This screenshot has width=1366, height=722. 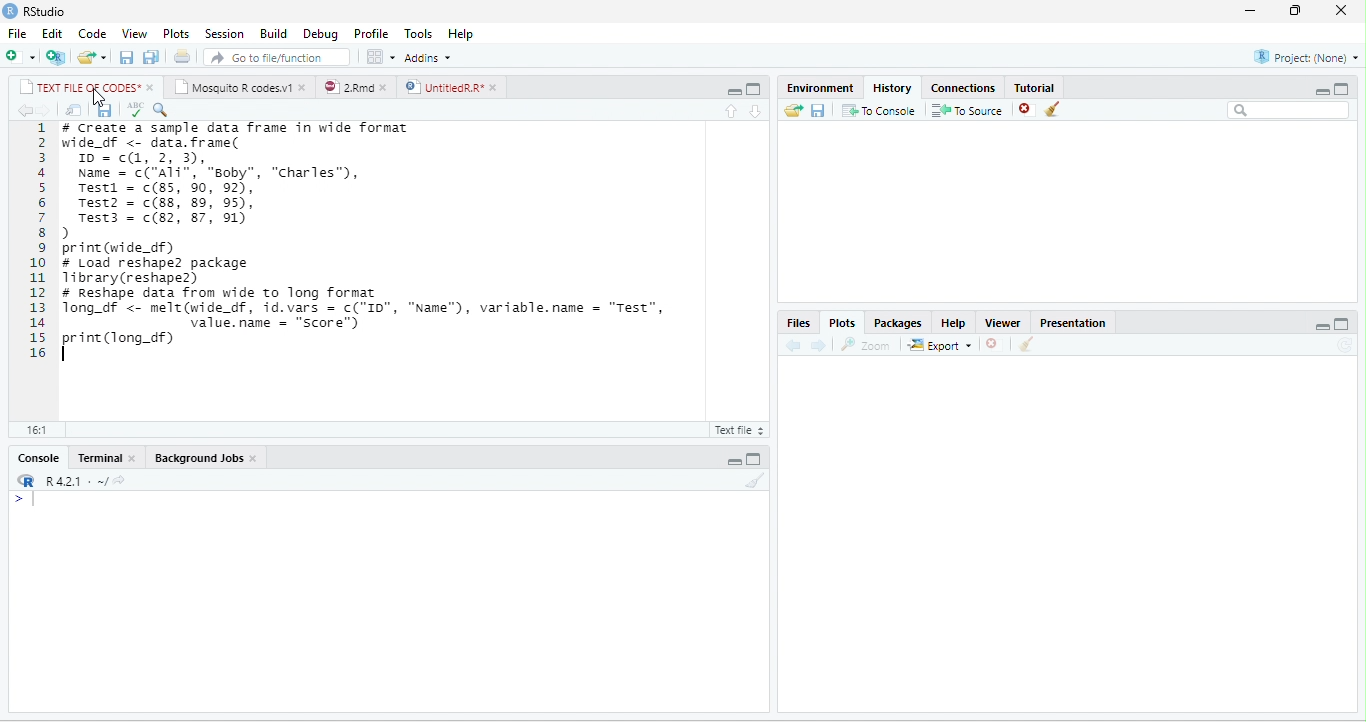 I want to click on # Create a sample data frame in wide format wide_df <- data. frame( ID = c(1,2,3),Name = c("ali", “soby”, "Charles”),Testi = (85, 90, 92),Test2 = (88, 89, 95),Test3 = c(82, 87, 91))print (wide_df), so click(x=235, y=188).